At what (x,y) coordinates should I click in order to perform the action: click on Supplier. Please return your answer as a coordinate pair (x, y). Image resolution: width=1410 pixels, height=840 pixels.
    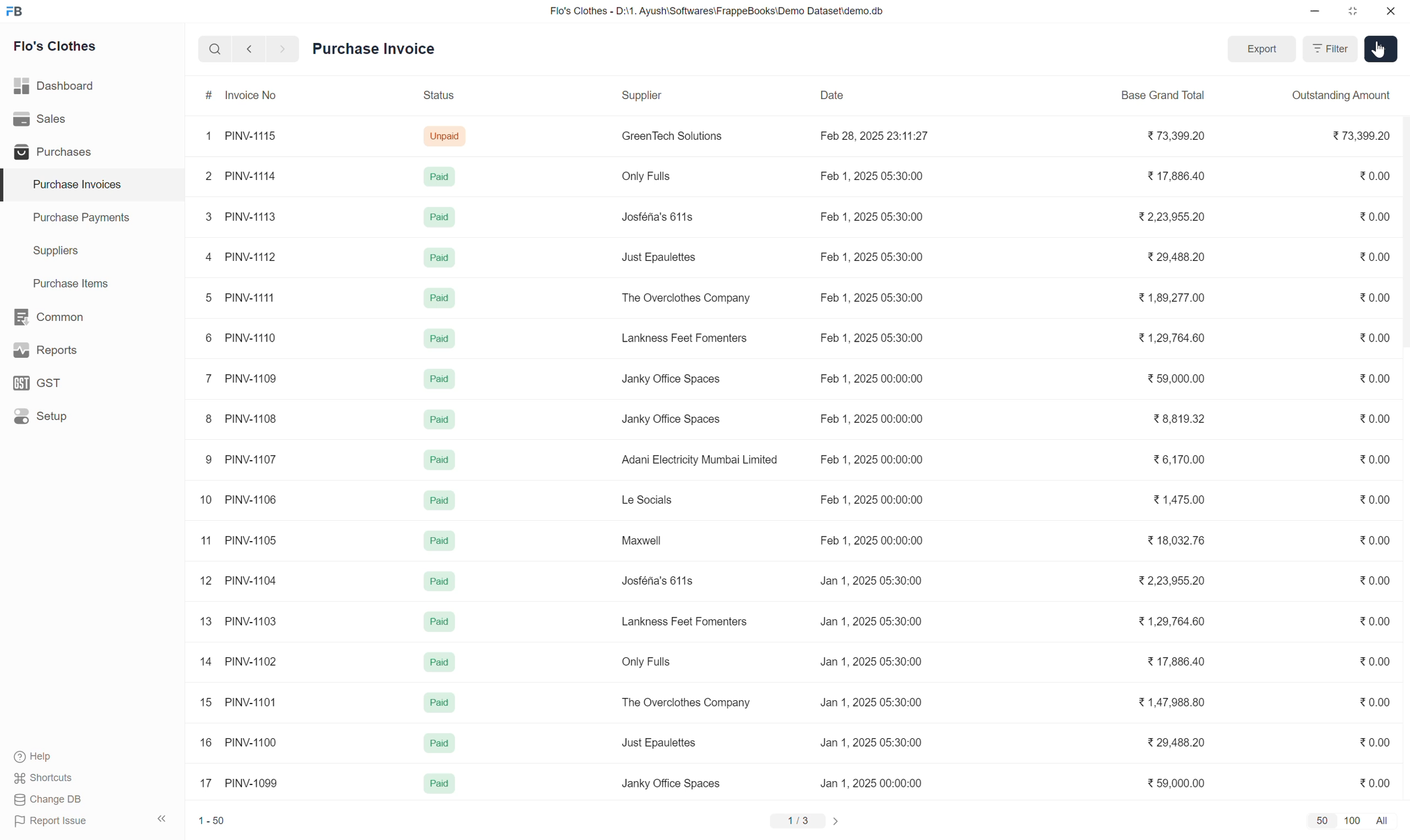
    Looking at the image, I should click on (636, 100).